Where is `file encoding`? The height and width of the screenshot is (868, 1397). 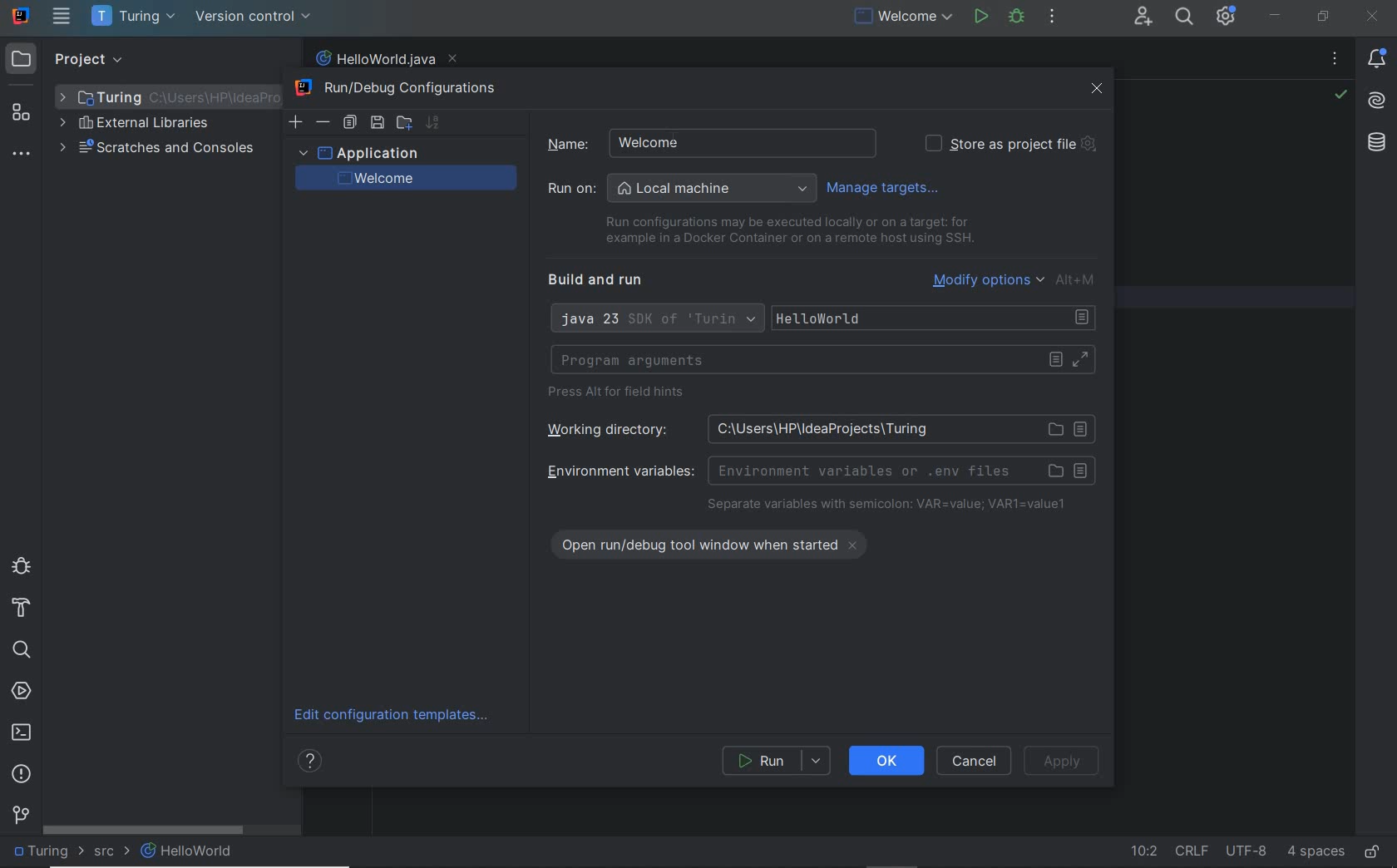
file encoding is located at coordinates (1247, 851).